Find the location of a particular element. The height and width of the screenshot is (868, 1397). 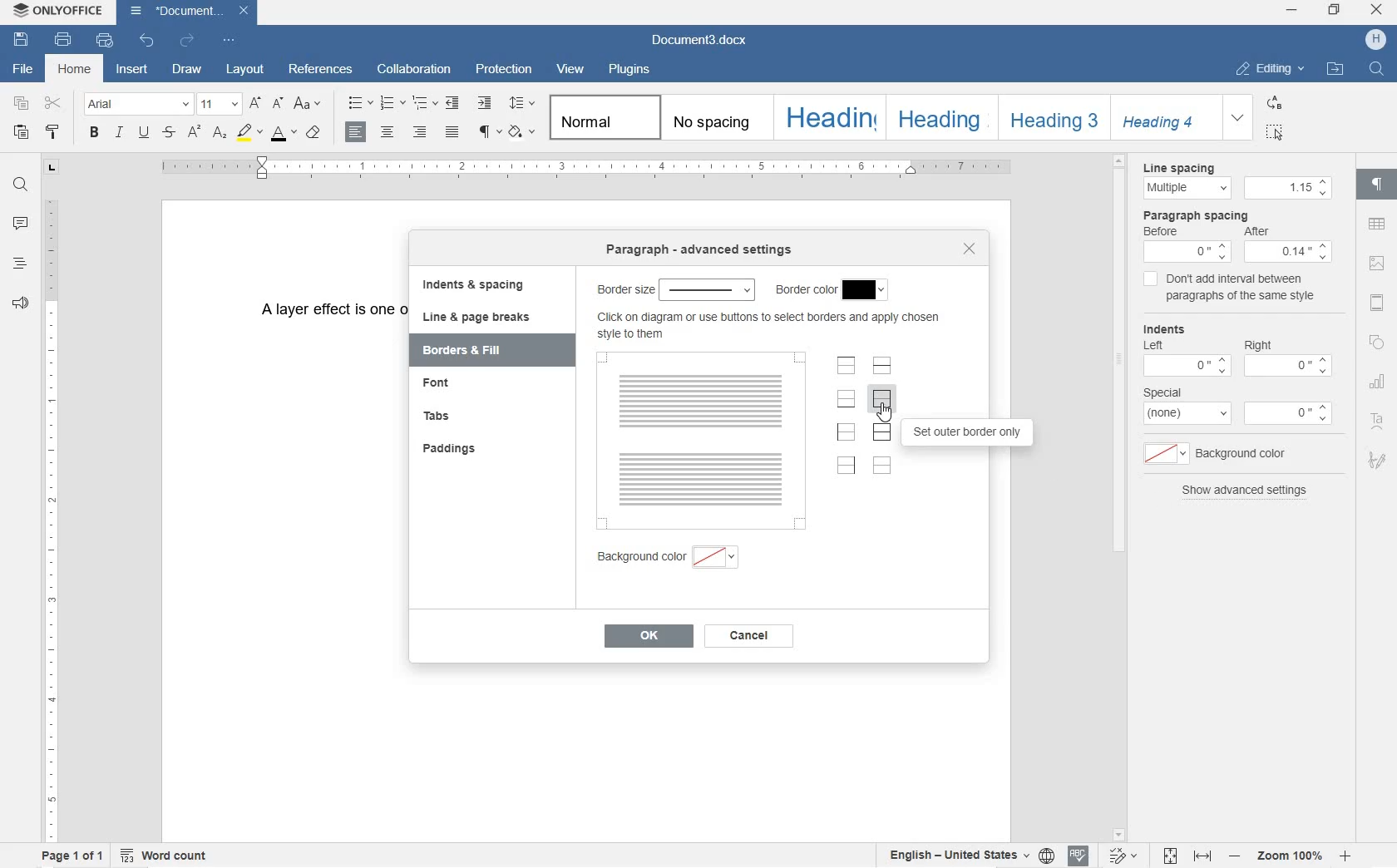

SET TEXT OR DOCUMENT LANGUAGE is located at coordinates (970, 856).